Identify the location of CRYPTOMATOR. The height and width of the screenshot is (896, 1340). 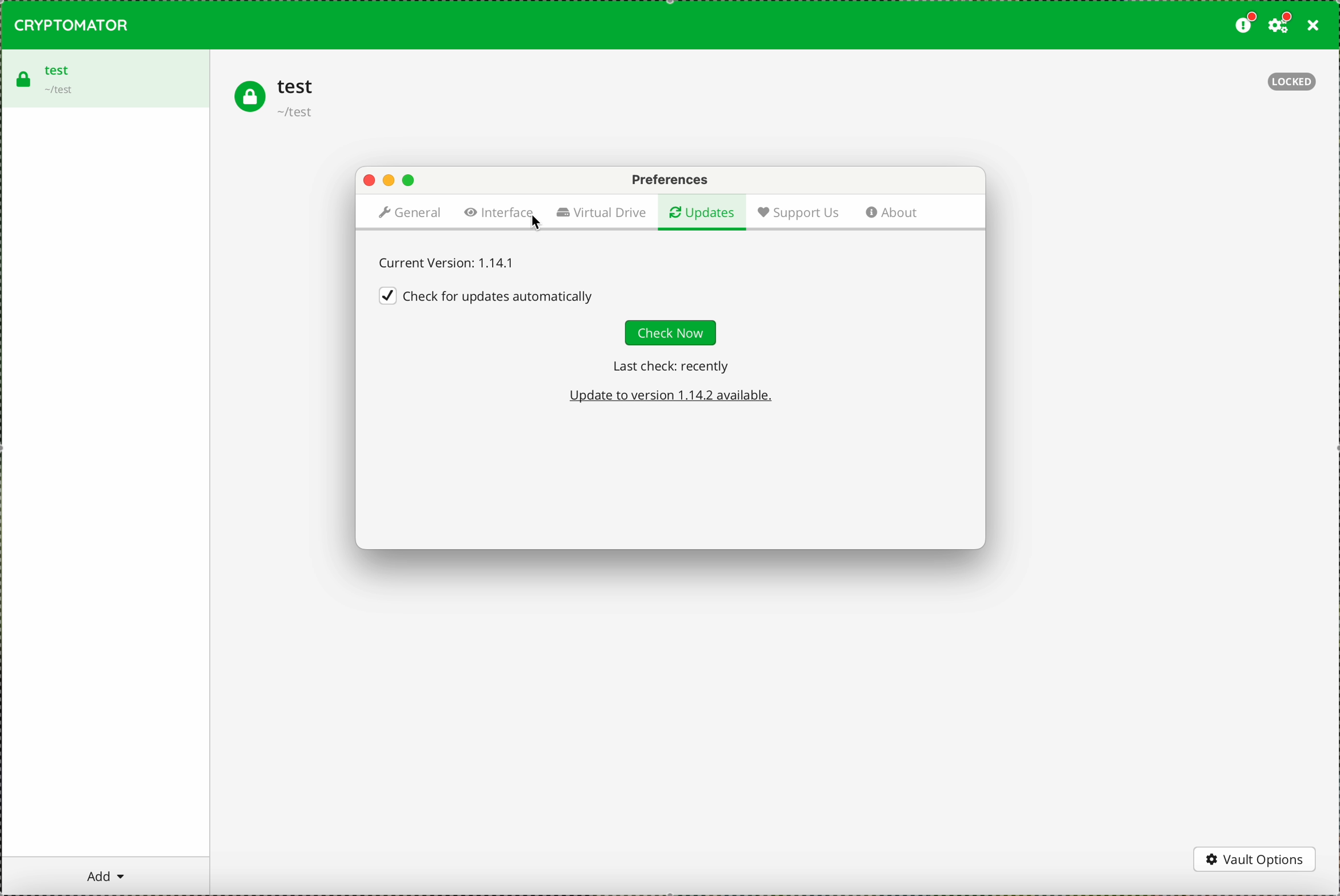
(71, 25).